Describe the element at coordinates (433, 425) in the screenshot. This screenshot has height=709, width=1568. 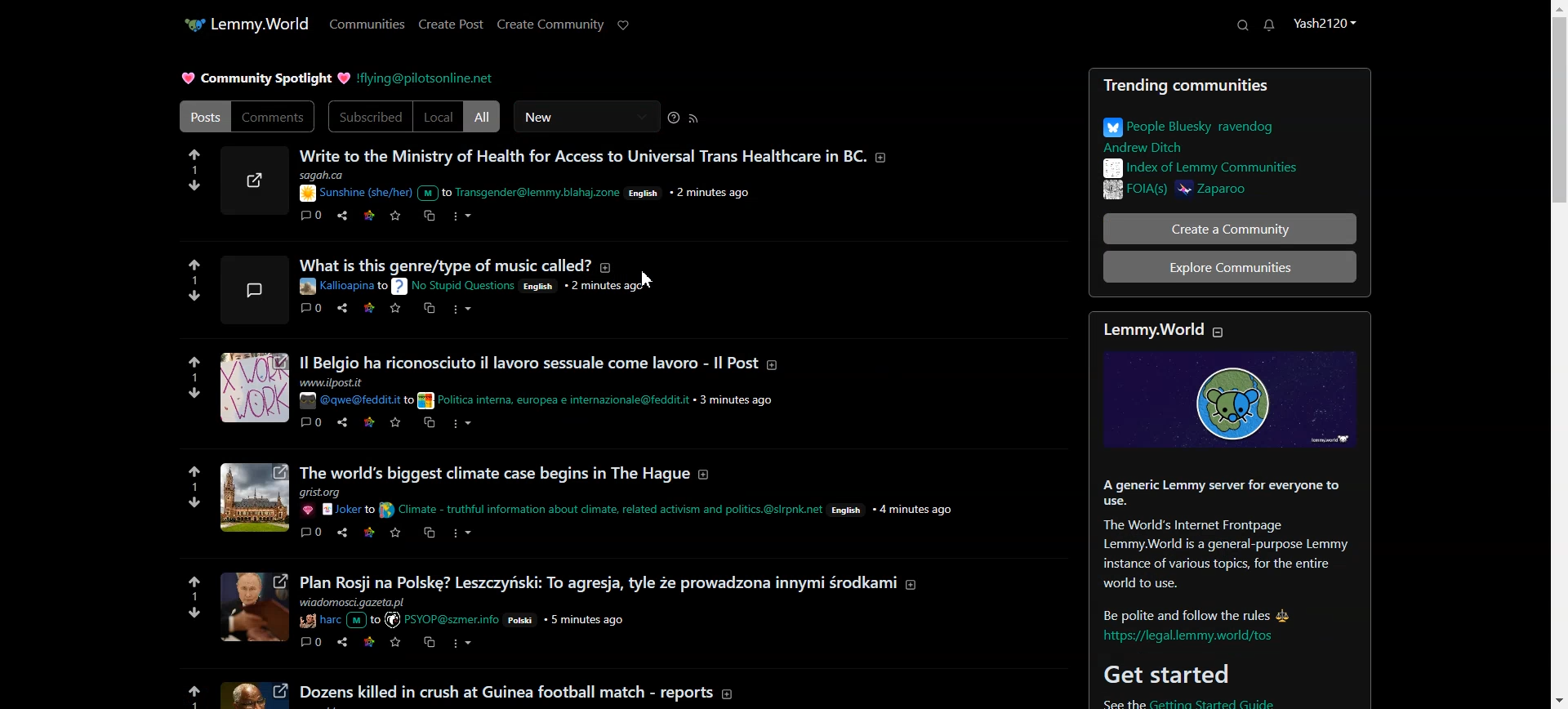
I see `copy` at that location.